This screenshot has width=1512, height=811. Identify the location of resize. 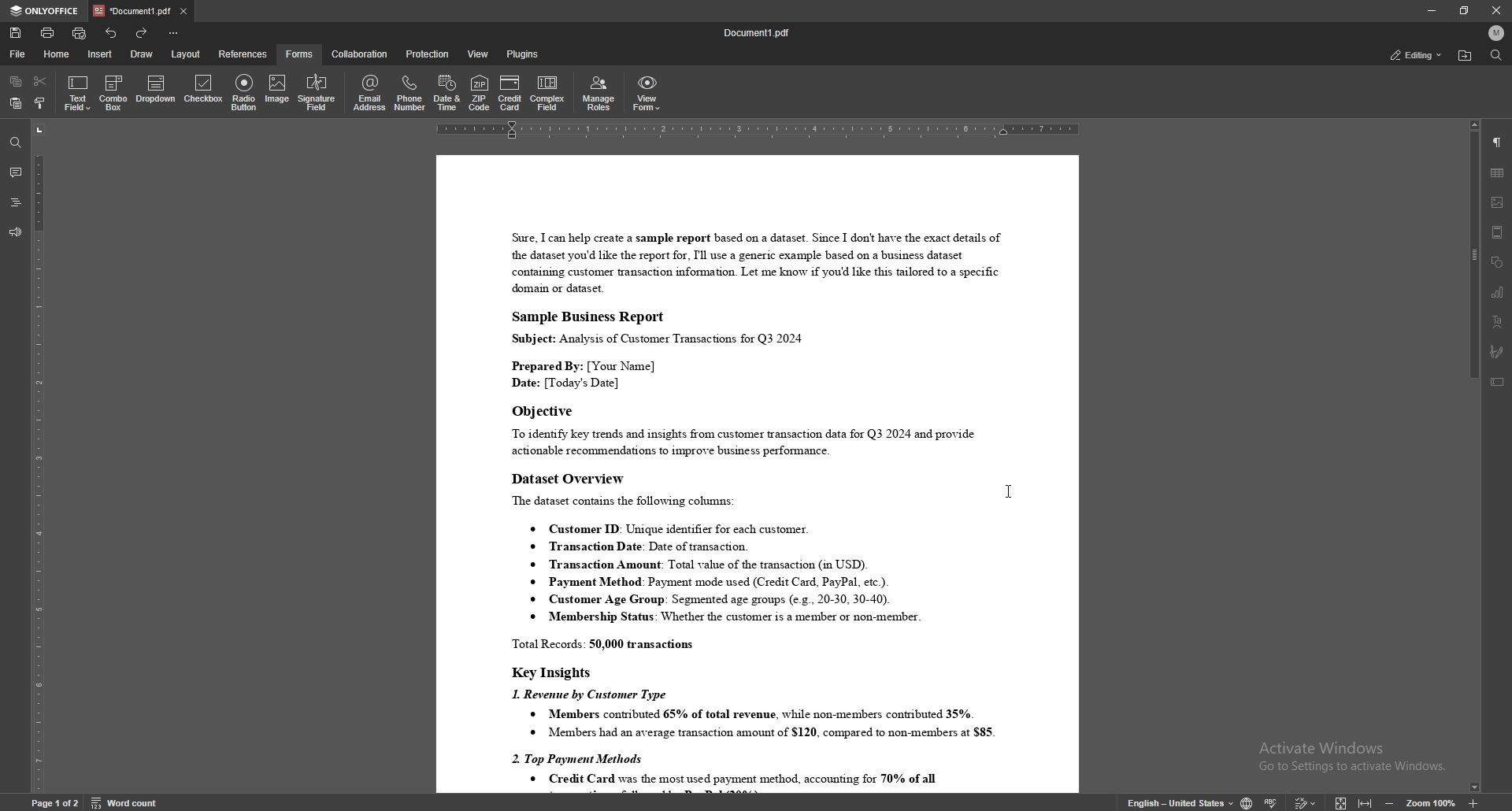
(1465, 10).